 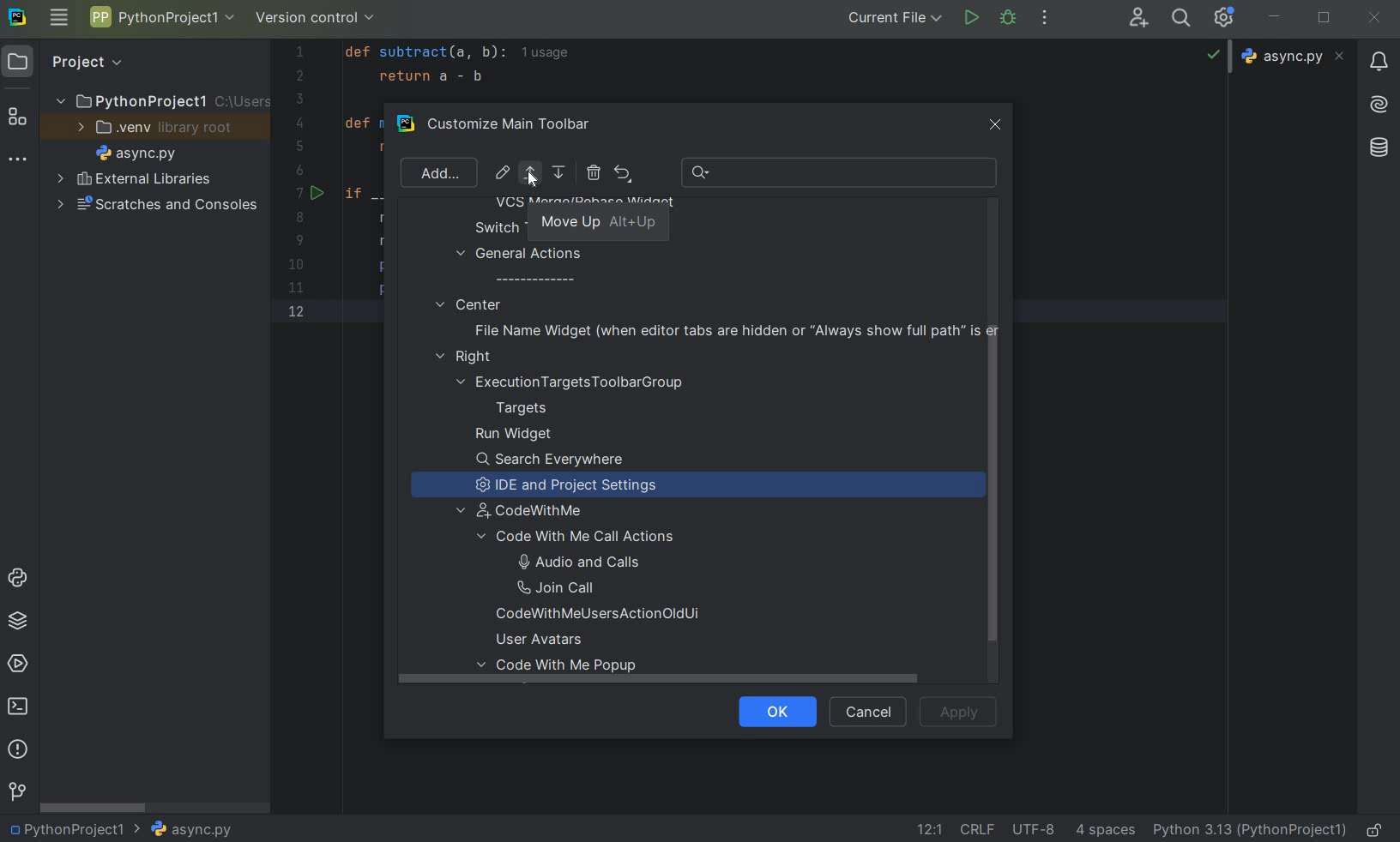 What do you see at coordinates (73, 62) in the screenshot?
I see `PROJECT` at bounding box center [73, 62].